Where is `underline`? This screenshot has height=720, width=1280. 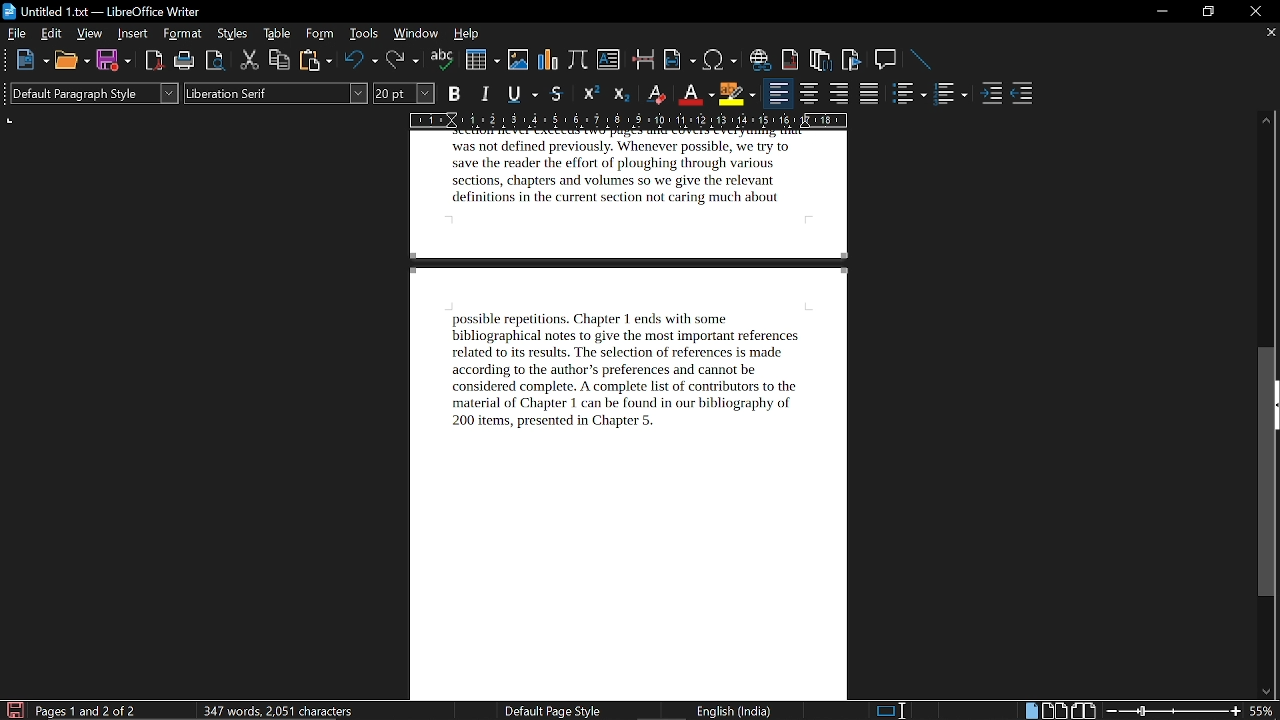
underline is located at coordinates (522, 93).